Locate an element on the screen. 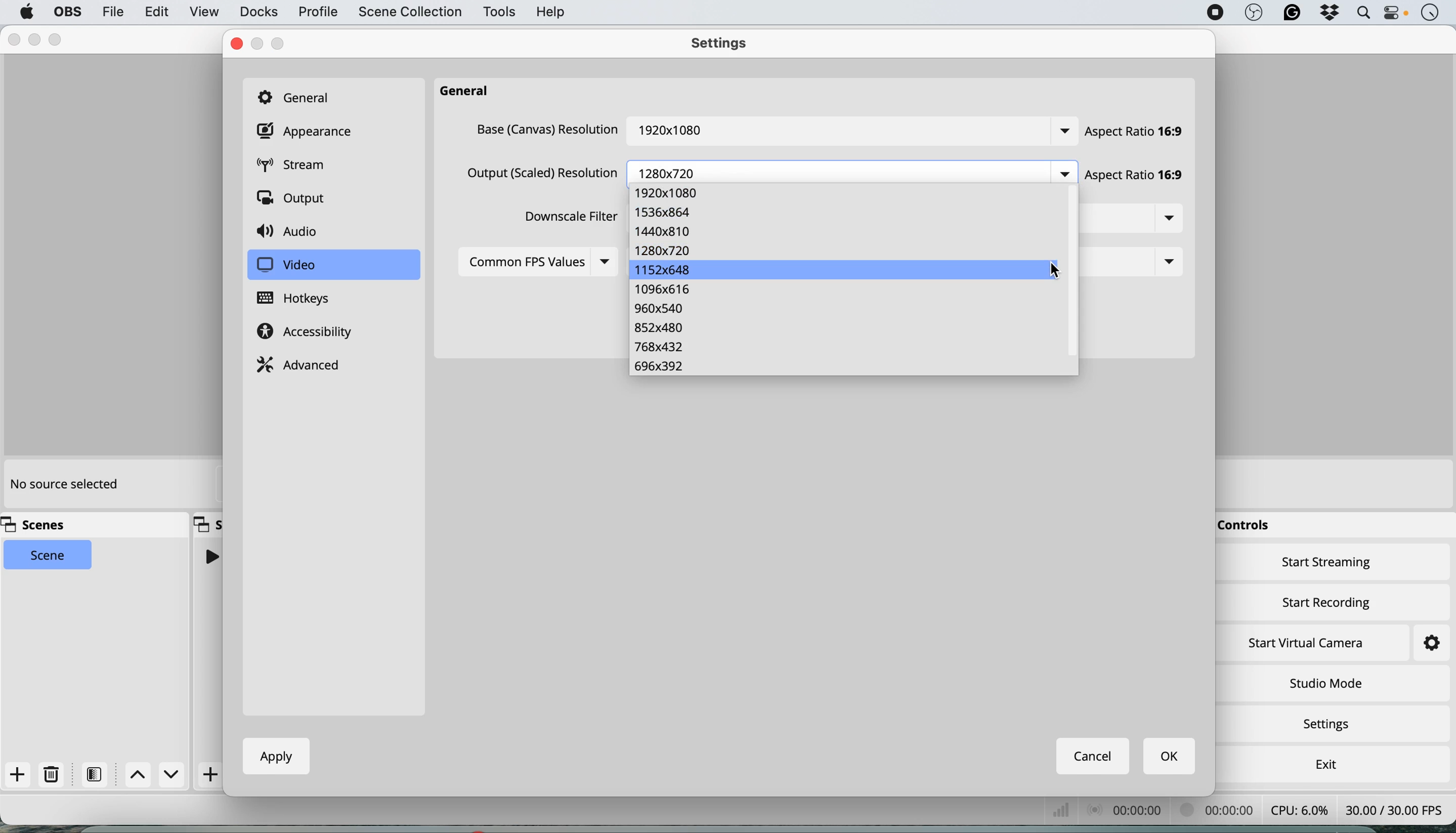  cpu usage is located at coordinates (1071, 812).